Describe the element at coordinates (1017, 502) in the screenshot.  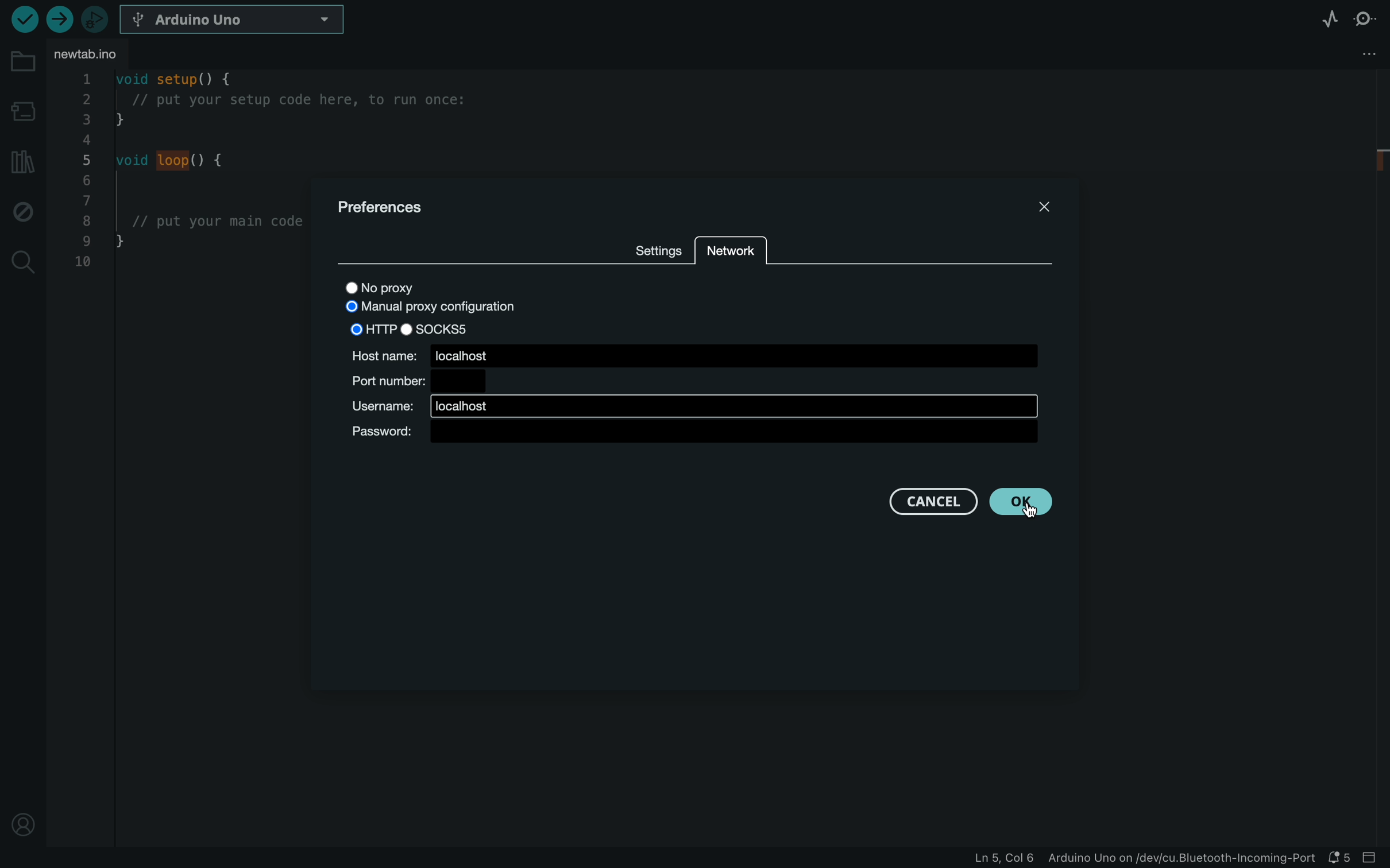
I see `clicked` at that location.